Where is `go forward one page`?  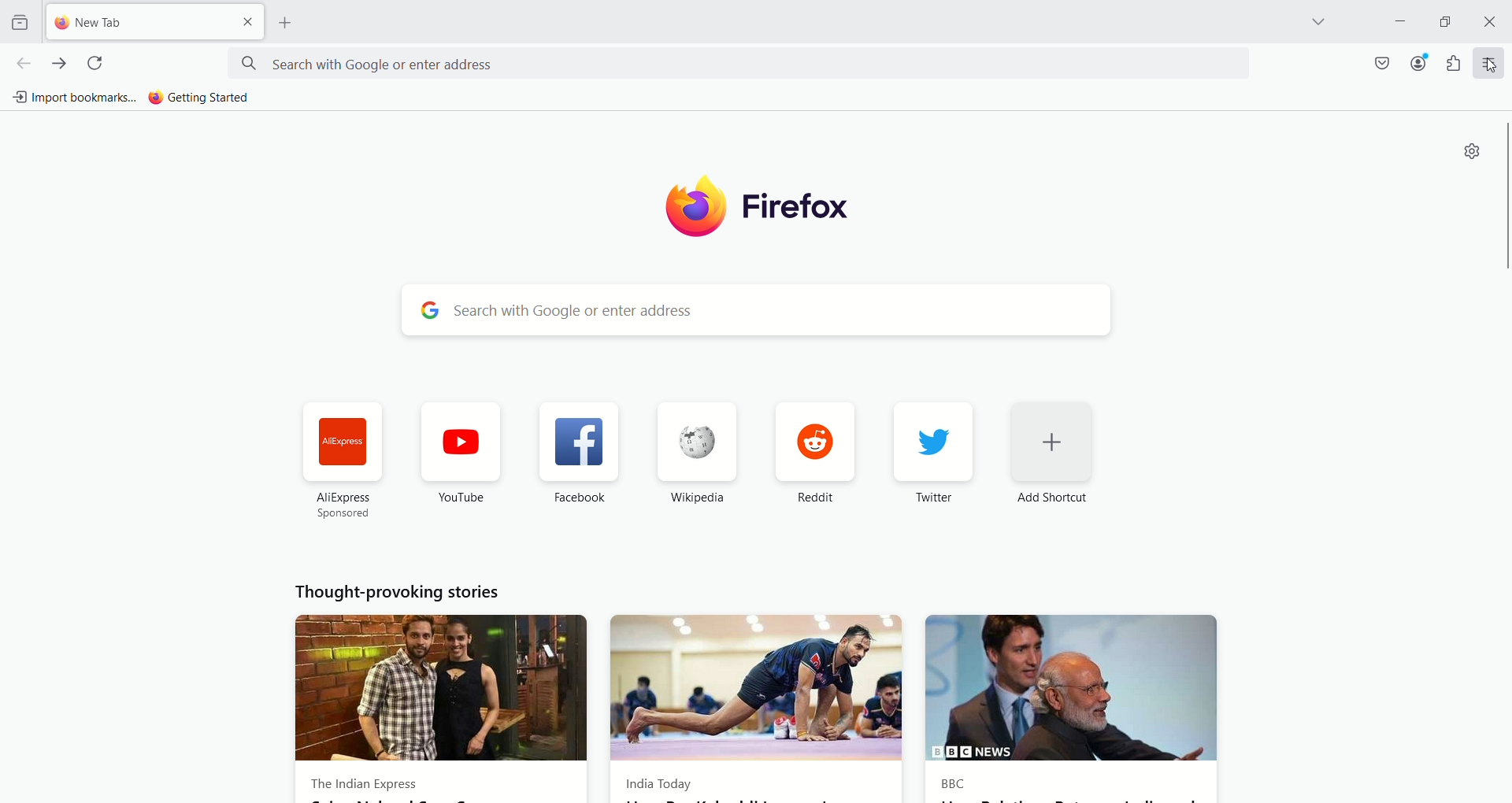 go forward one page is located at coordinates (57, 62).